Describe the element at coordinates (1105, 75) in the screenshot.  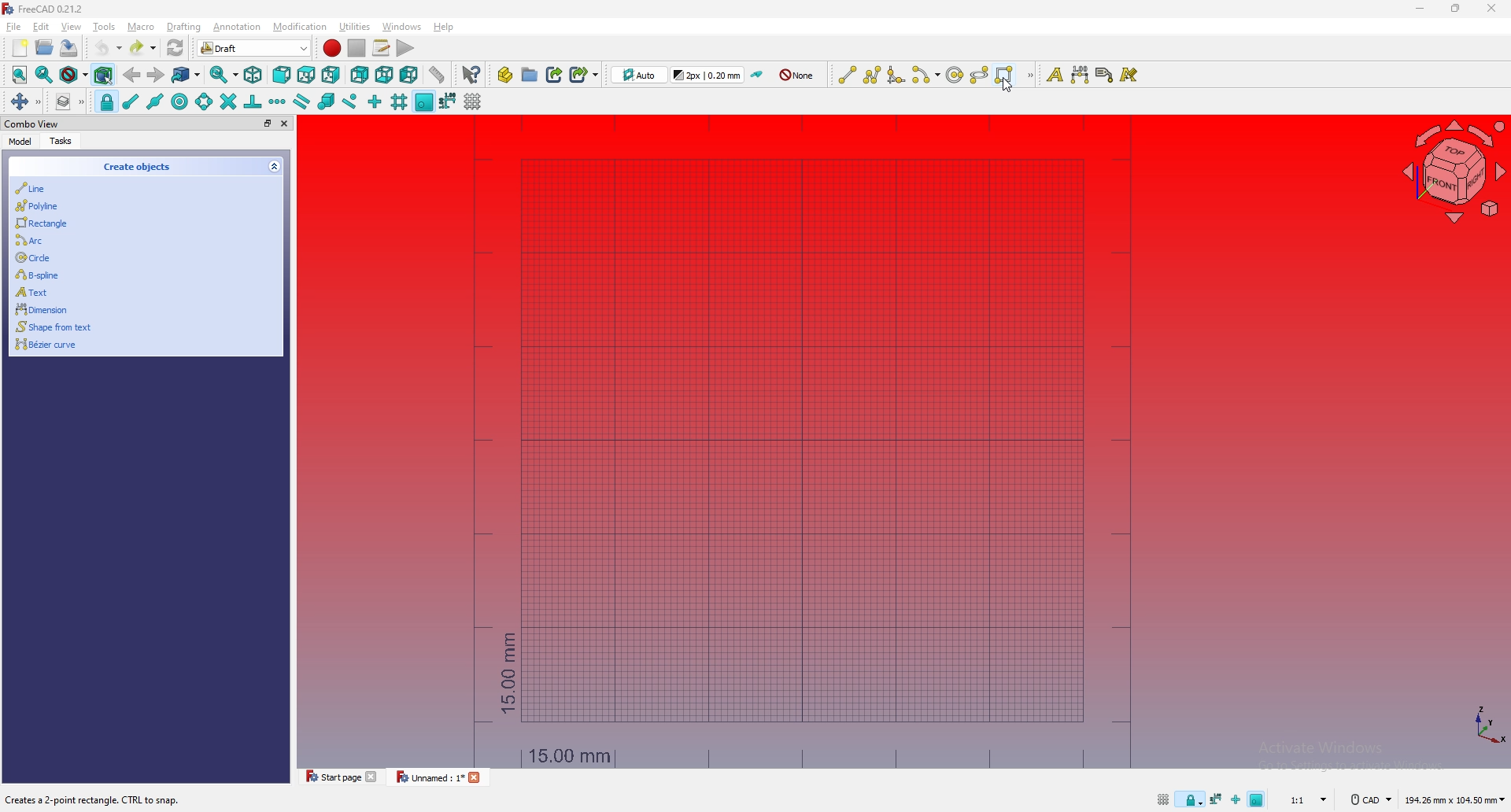
I see `label` at that location.